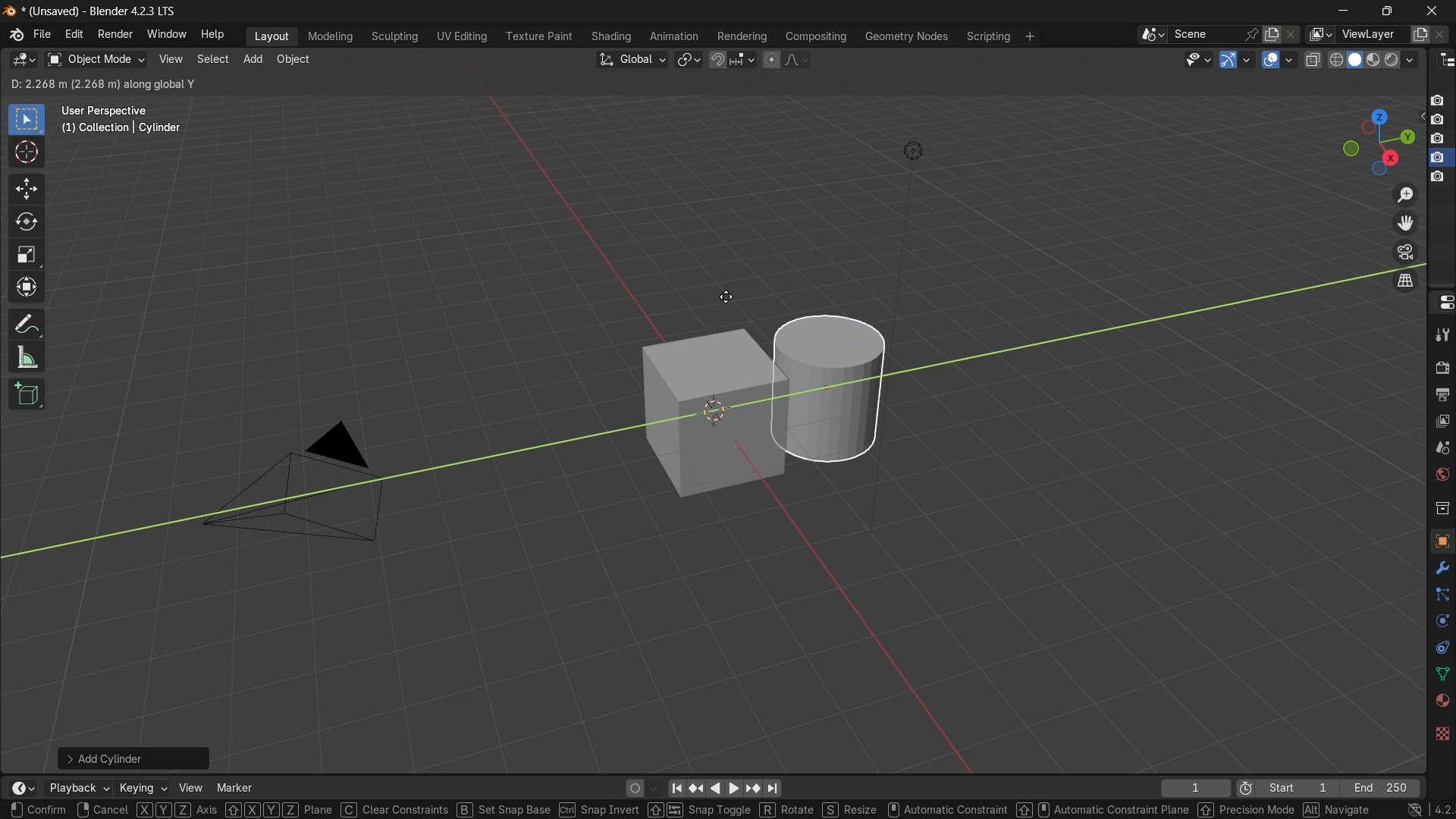 The height and width of the screenshot is (819, 1456). Describe the element at coordinates (1439, 366) in the screenshot. I see `render` at that location.